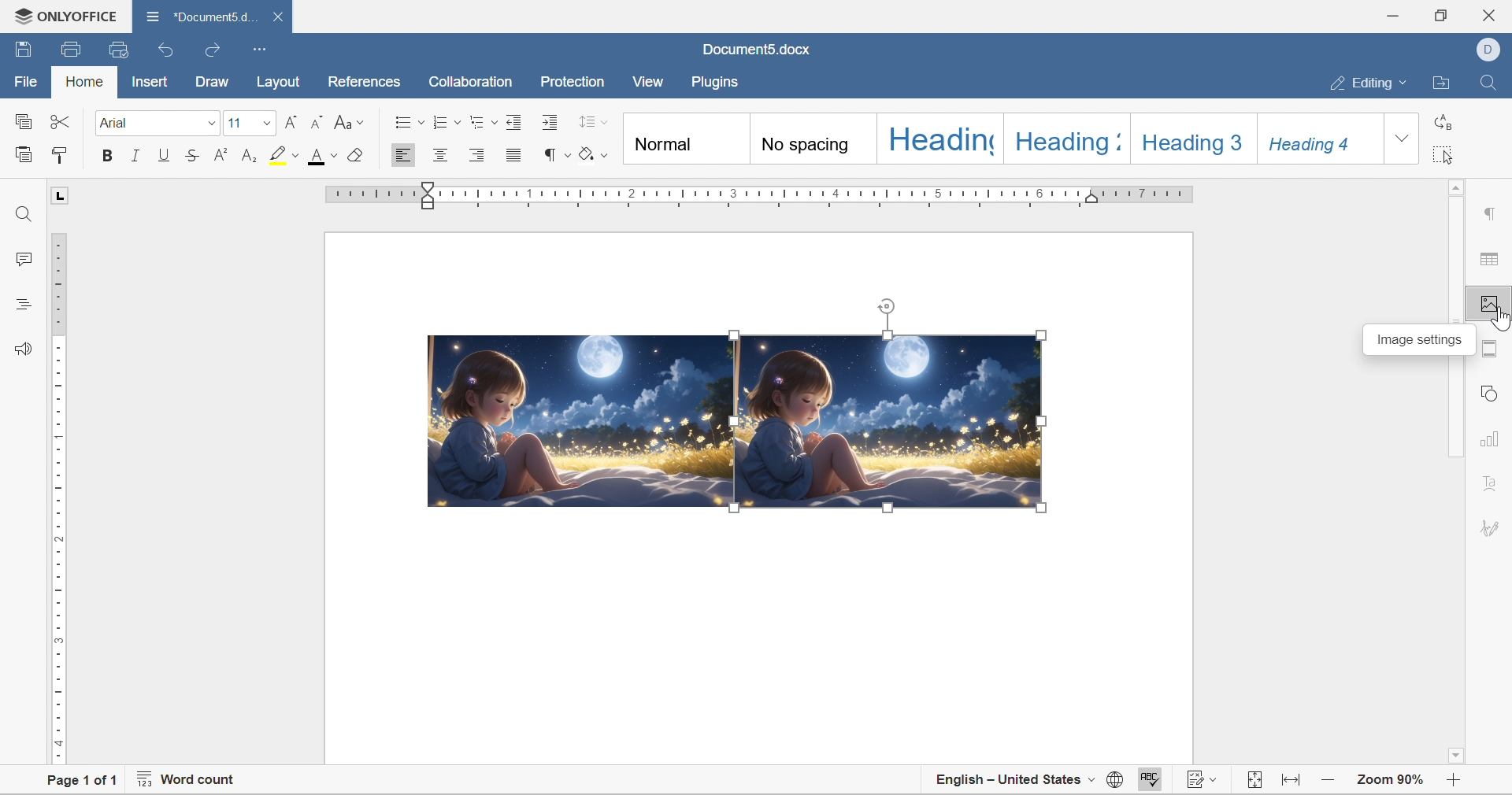 This screenshot has height=795, width=1512. I want to click on chart settings, so click(1491, 436).